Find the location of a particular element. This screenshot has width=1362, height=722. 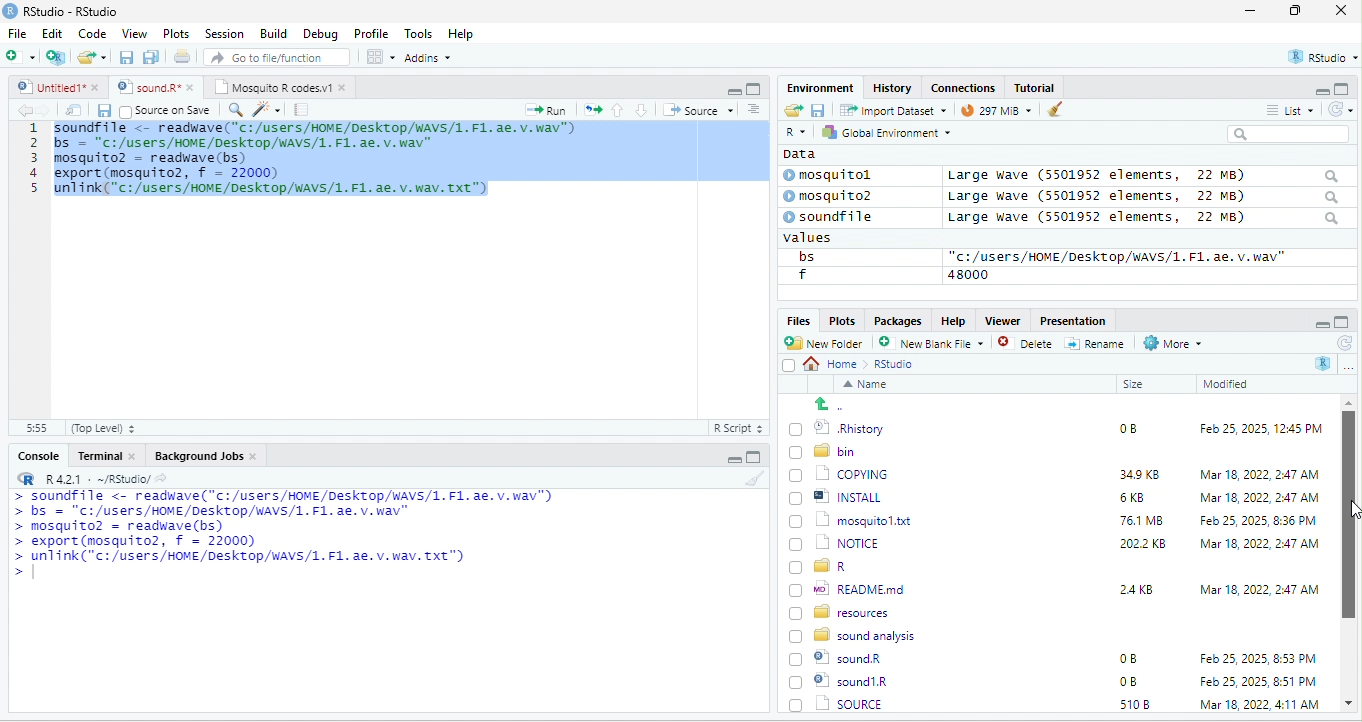

| SOURCE is located at coordinates (848, 681).